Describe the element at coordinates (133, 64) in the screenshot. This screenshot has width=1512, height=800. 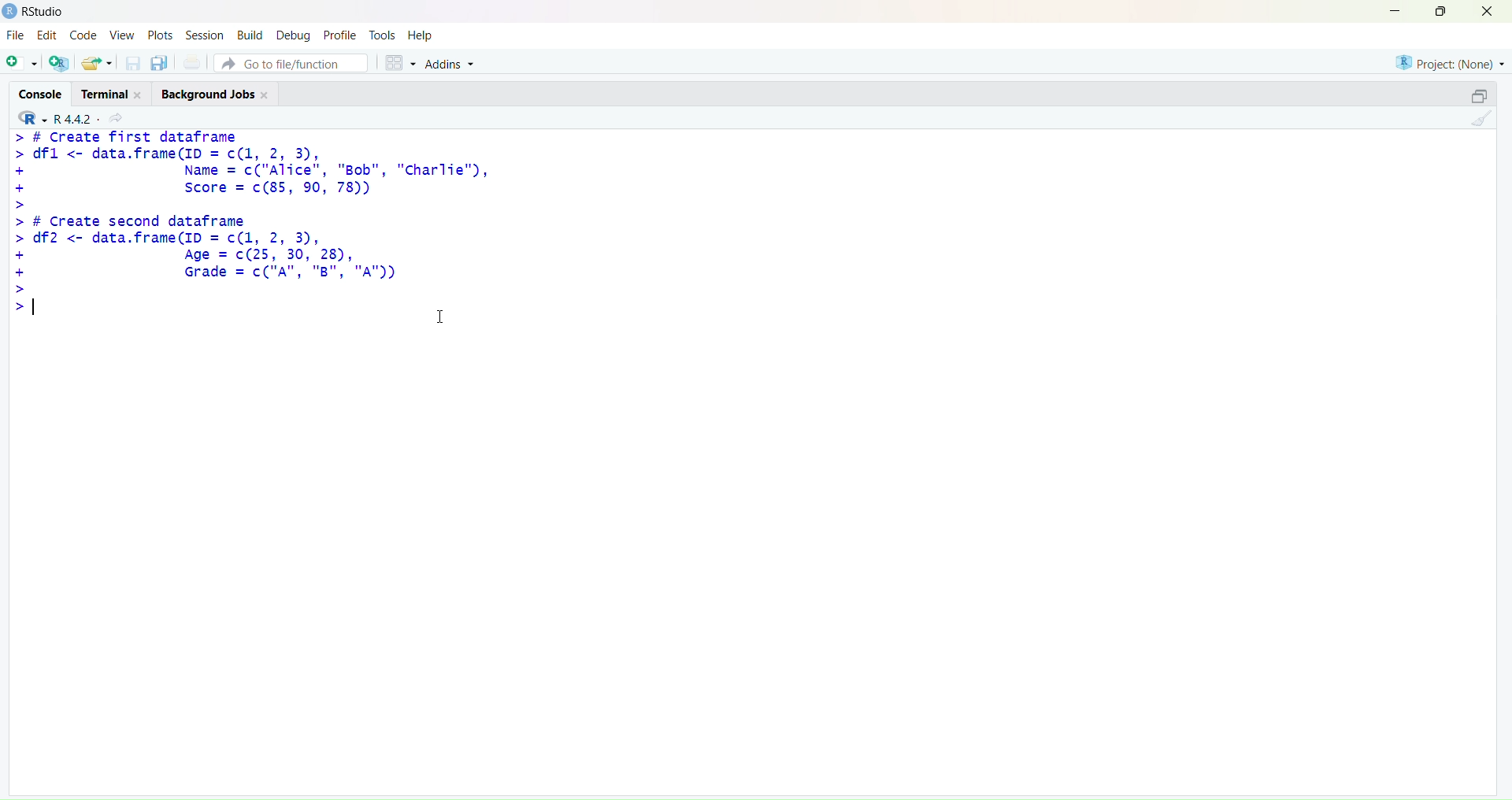
I see `save current document` at that location.